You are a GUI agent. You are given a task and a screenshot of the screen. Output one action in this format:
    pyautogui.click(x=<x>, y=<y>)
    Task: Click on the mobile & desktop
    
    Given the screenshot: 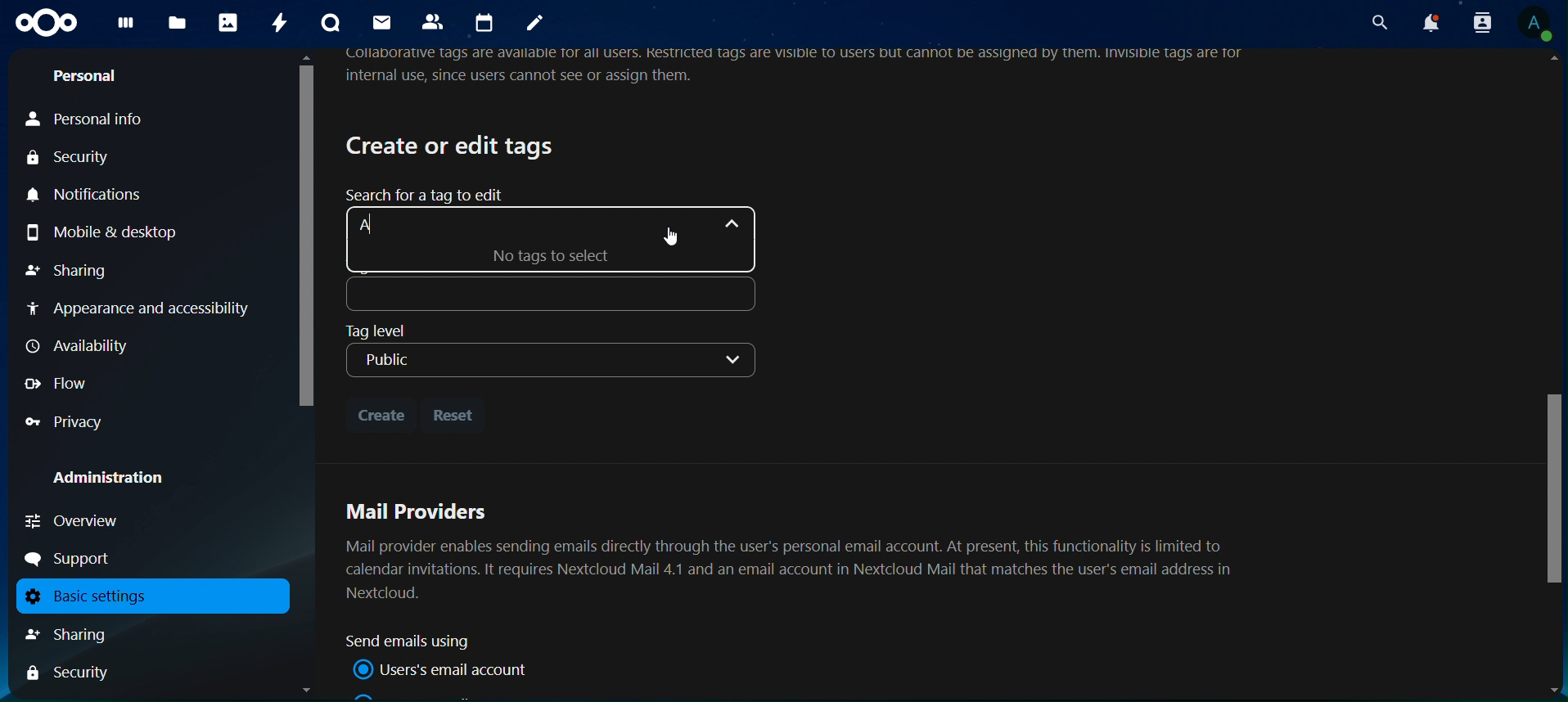 What is the action you would take?
    pyautogui.click(x=125, y=231)
    